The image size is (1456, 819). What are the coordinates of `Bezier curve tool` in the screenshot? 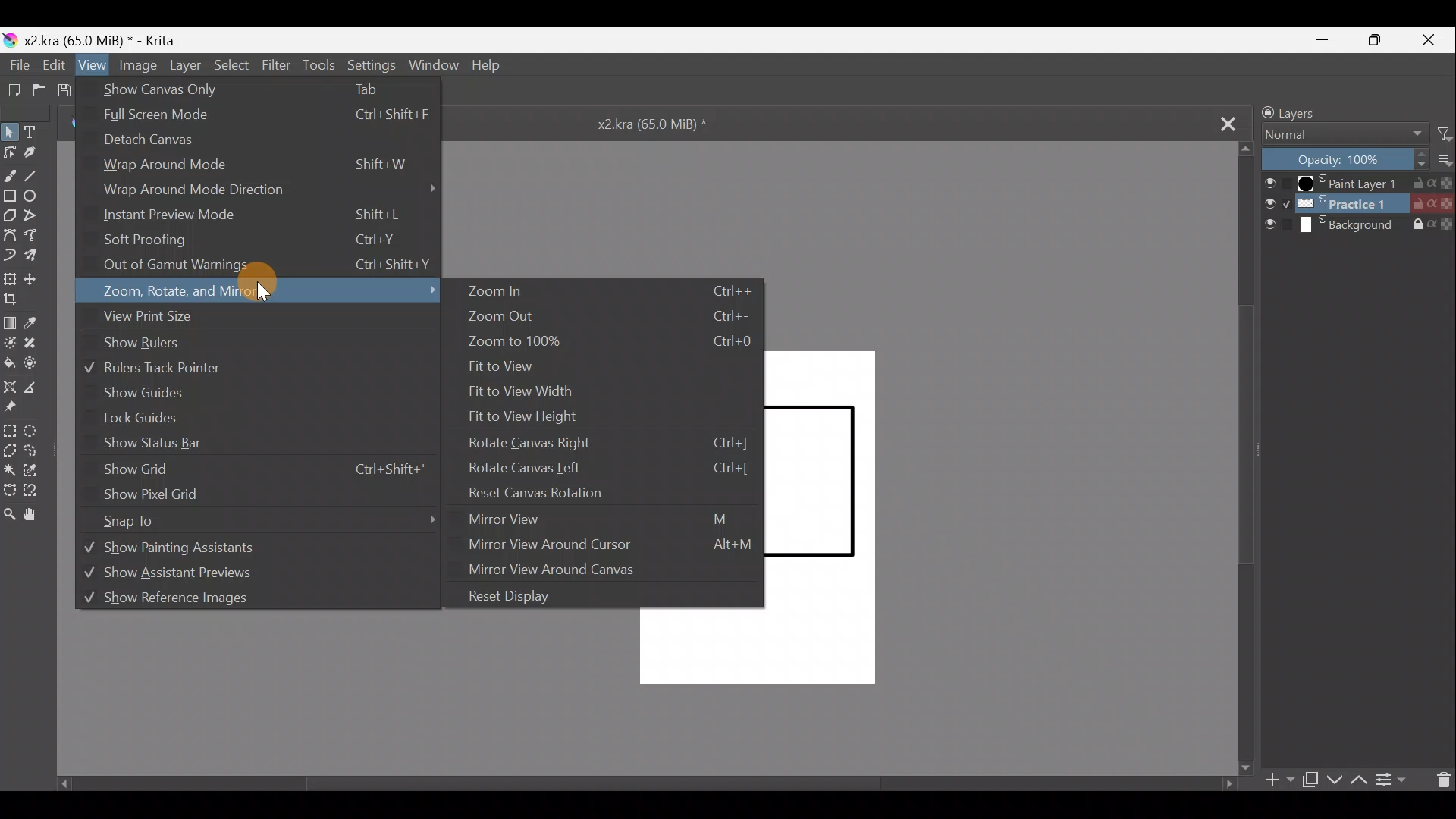 It's located at (10, 233).